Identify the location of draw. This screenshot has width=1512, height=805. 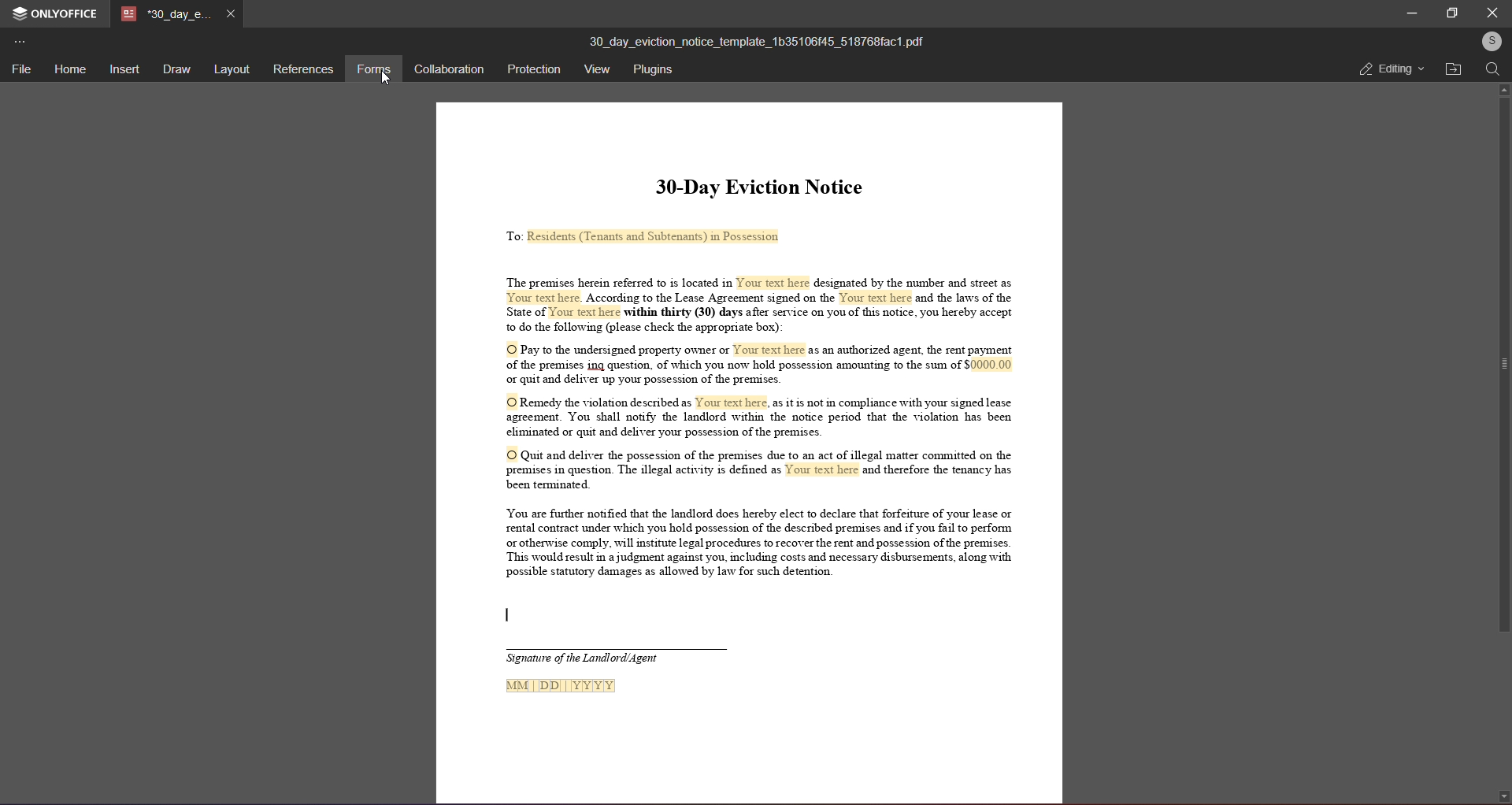
(176, 69).